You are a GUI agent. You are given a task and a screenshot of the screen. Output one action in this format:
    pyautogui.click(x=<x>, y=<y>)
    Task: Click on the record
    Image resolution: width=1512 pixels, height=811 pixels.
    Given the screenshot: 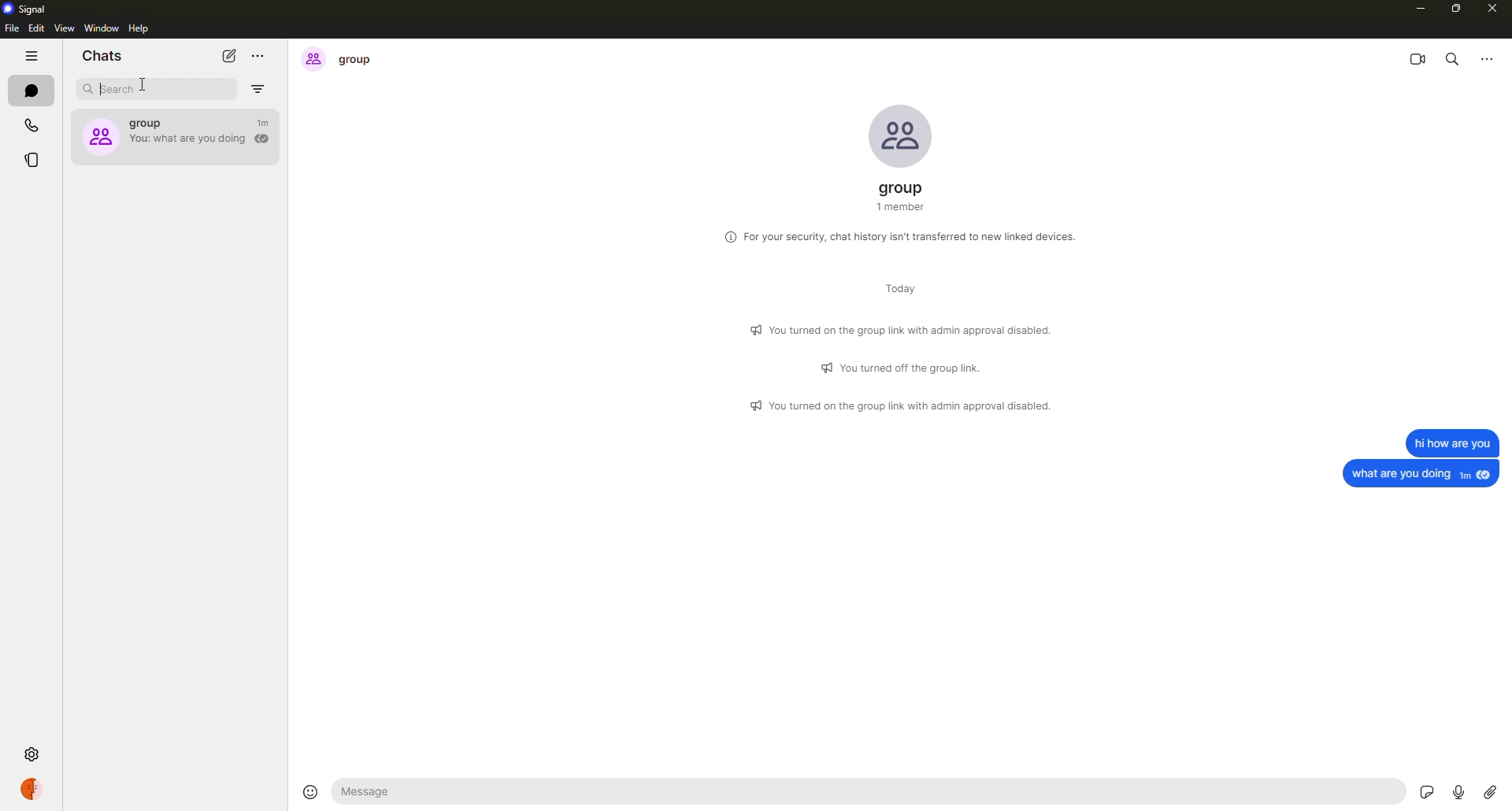 What is the action you would take?
    pyautogui.click(x=1458, y=790)
    